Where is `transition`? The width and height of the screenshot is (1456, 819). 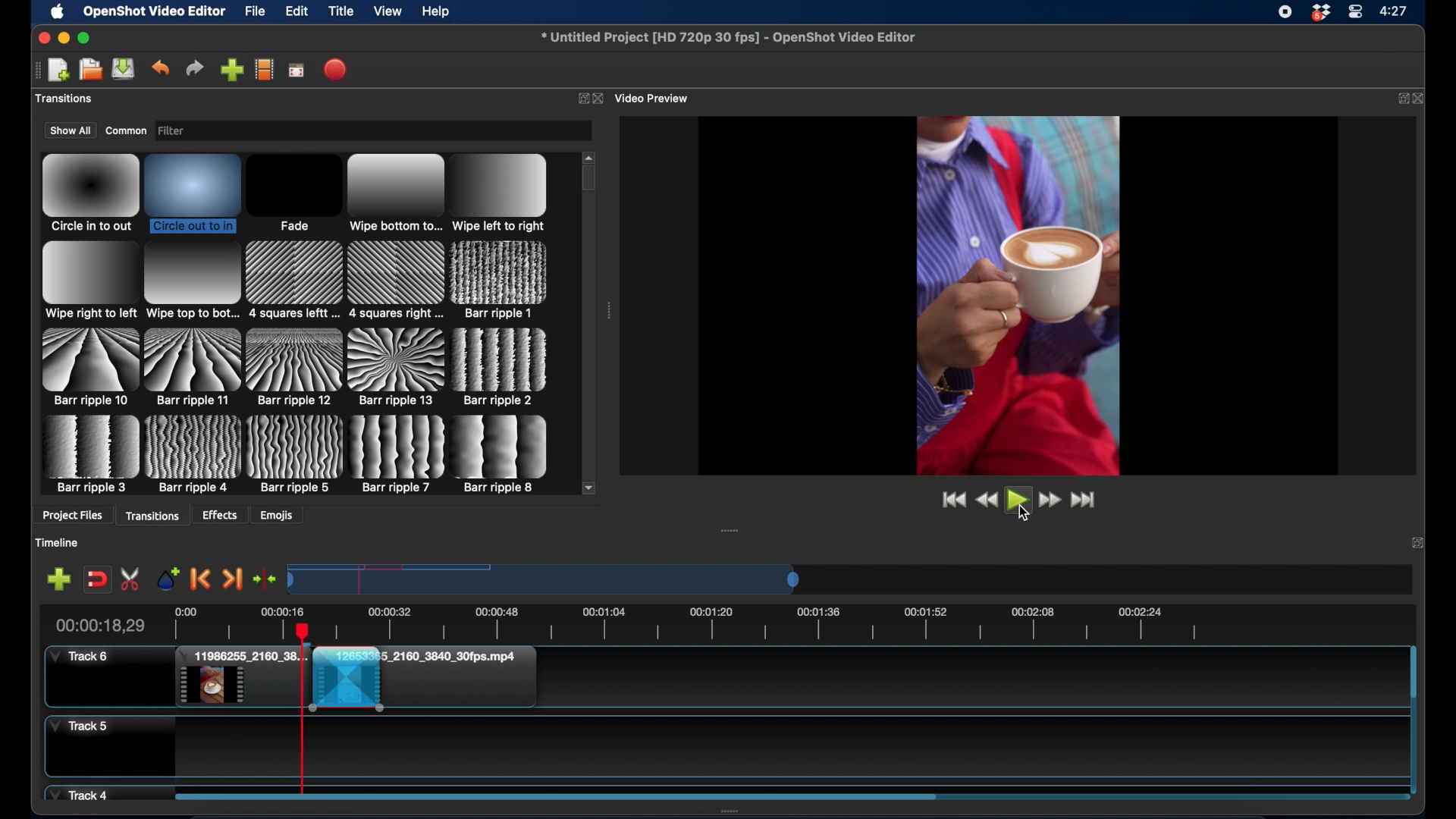 transition is located at coordinates (90, 193).